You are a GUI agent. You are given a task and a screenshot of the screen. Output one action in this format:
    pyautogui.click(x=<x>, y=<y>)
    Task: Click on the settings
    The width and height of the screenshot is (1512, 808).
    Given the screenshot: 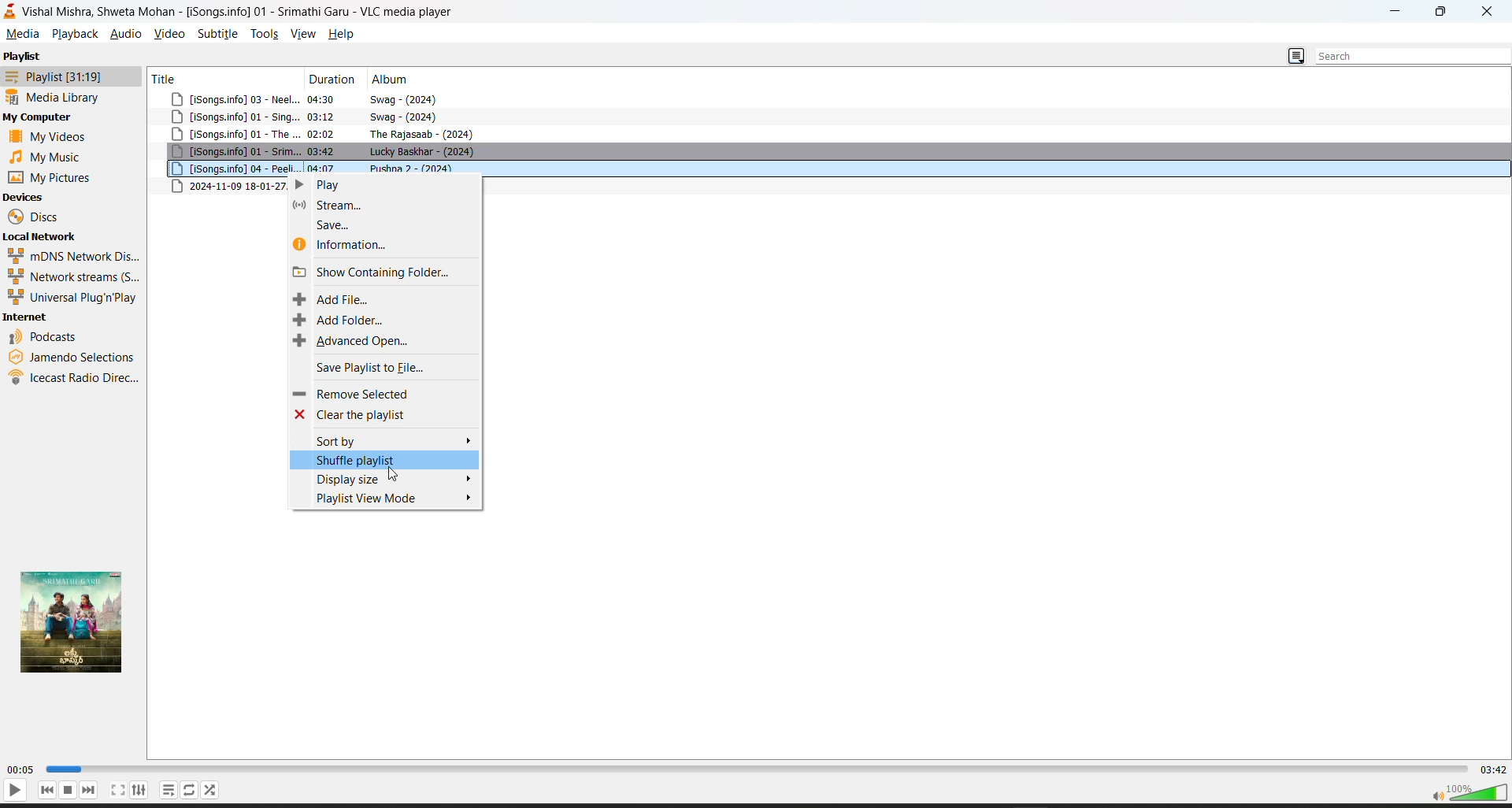 What is the action you would take?
    pyautogui.click(x=139, y=790)
    